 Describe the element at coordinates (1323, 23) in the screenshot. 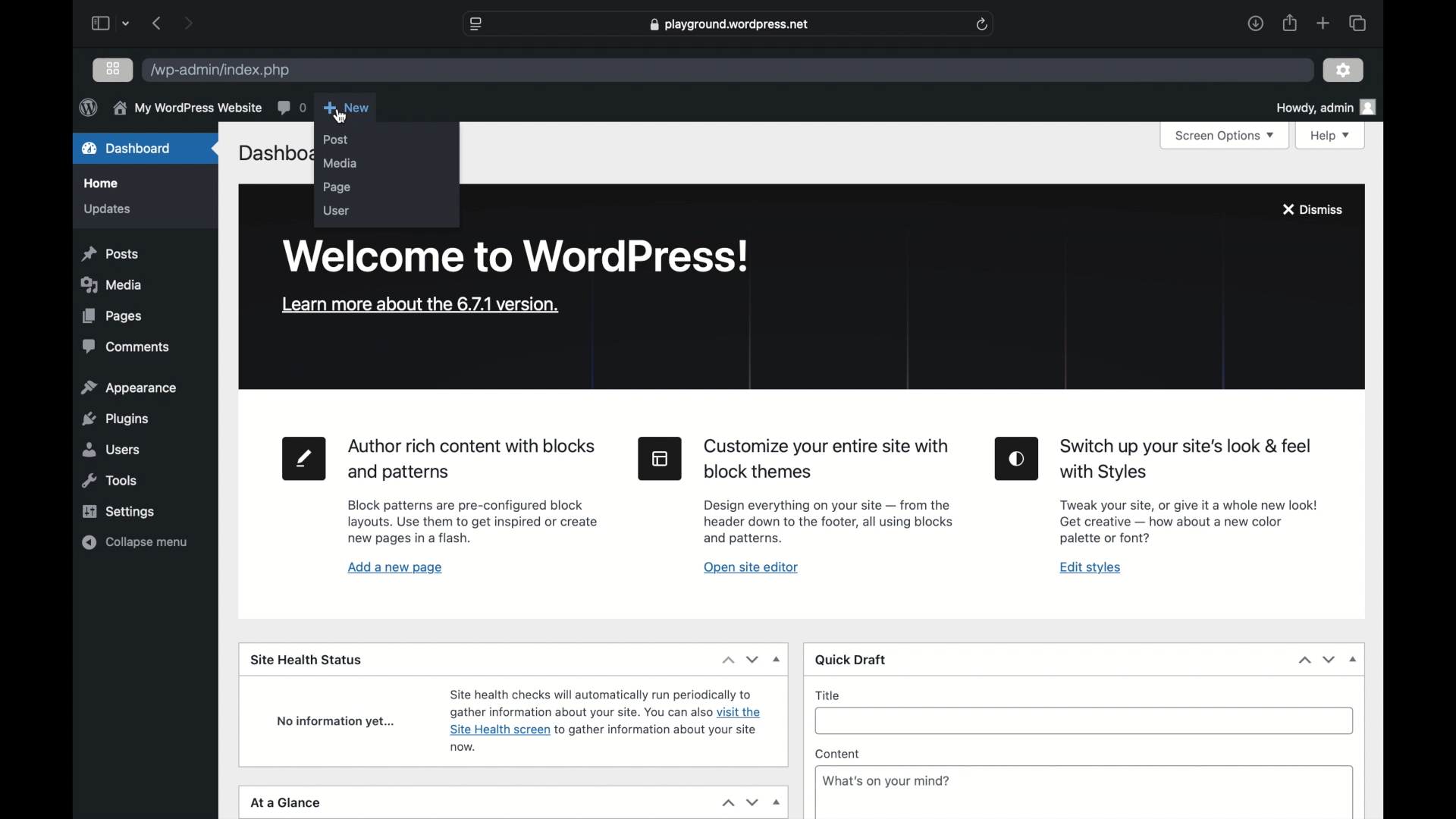

I see `new tab` at that location.